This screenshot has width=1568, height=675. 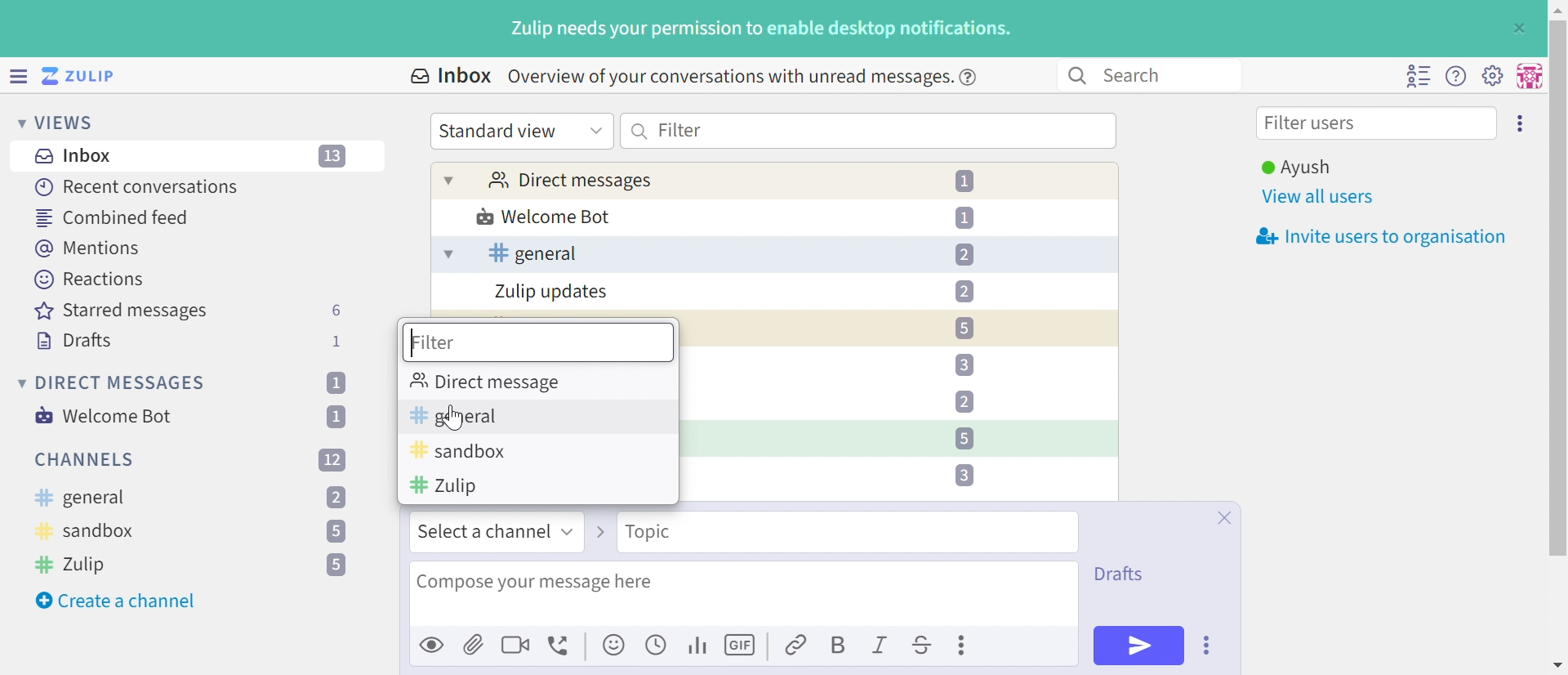 I want to click on Main menu, so click(x=1492, y=74).